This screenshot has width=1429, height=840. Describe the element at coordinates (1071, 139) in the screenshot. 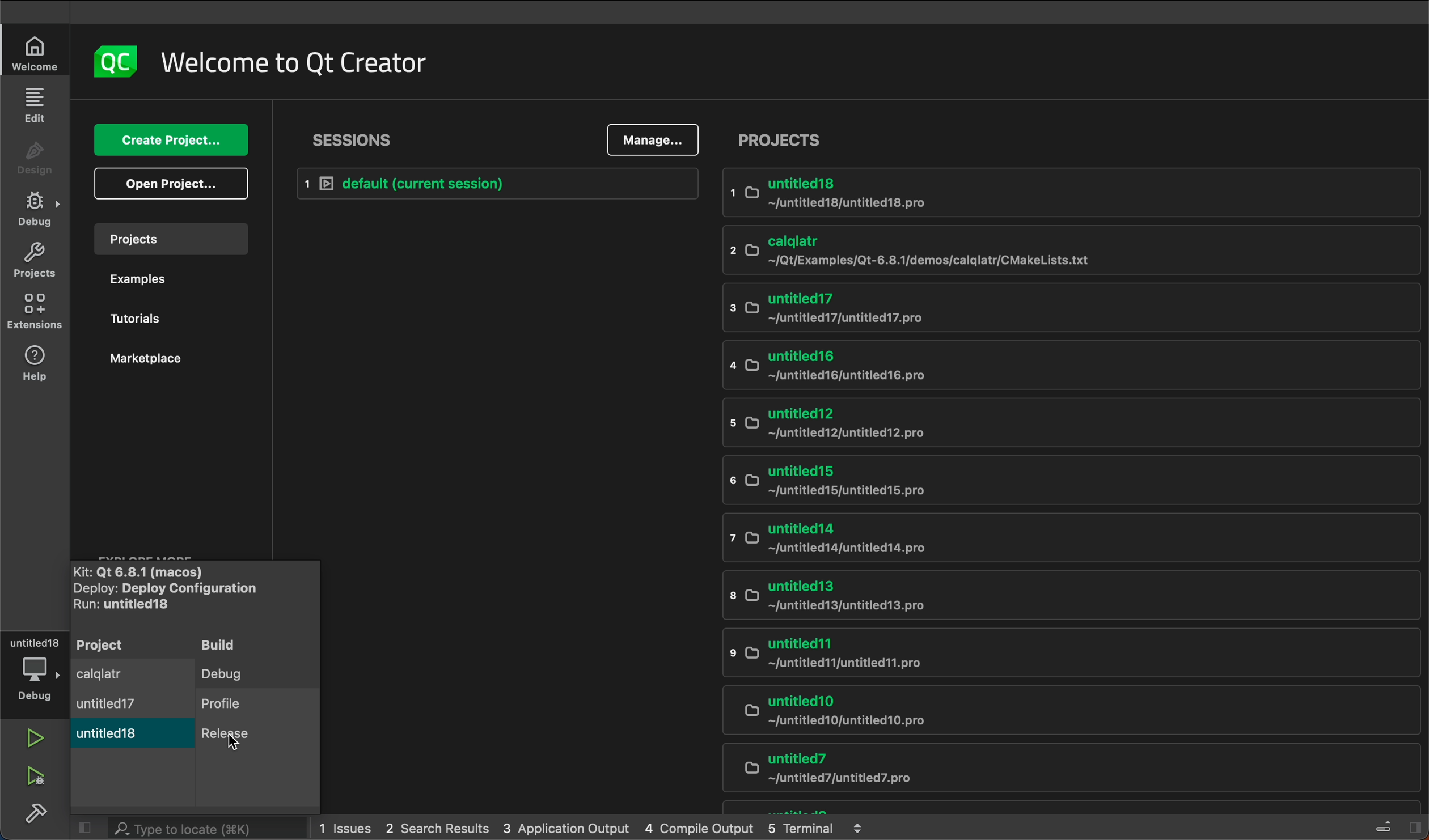

I see `projeects` at that location.